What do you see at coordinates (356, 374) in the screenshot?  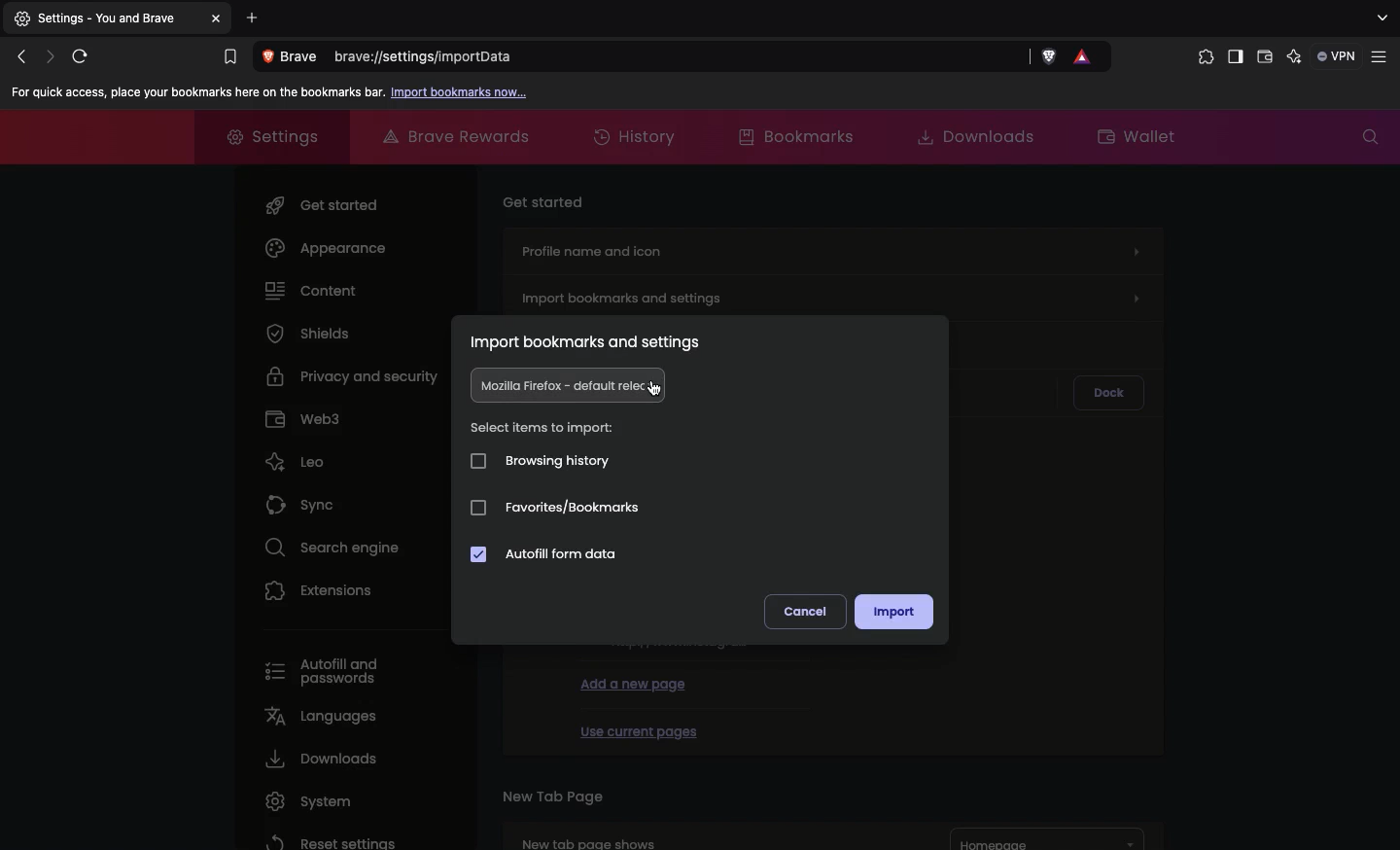 I see `Privacy and security` at bounding box center [356, 374].